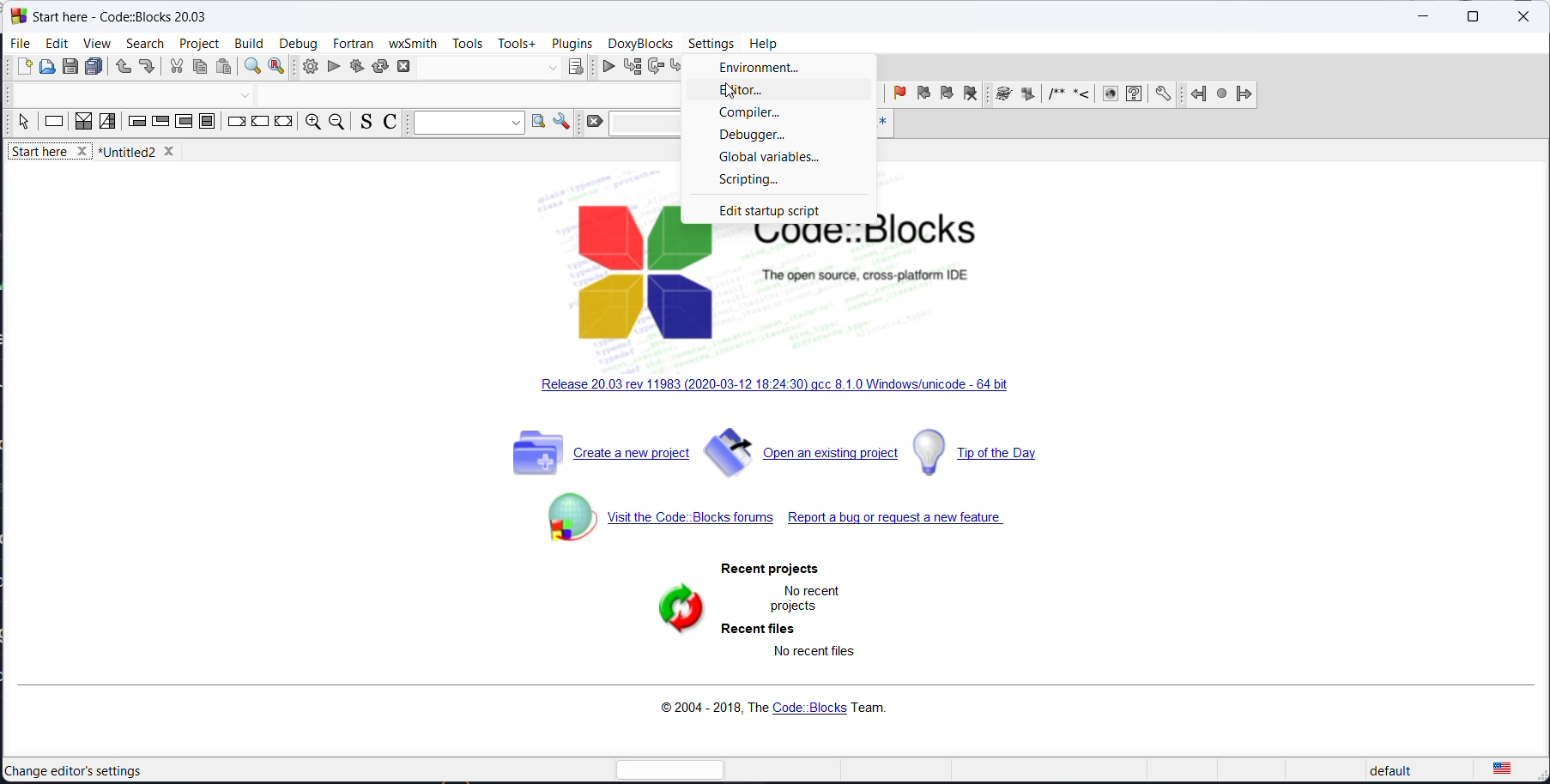 Image resolution: width=1550 pixels, height=784 pixels. What do you see at coordinates (881, 124) in the screenshot?
I see `regex` at bounding box center [881, 124].